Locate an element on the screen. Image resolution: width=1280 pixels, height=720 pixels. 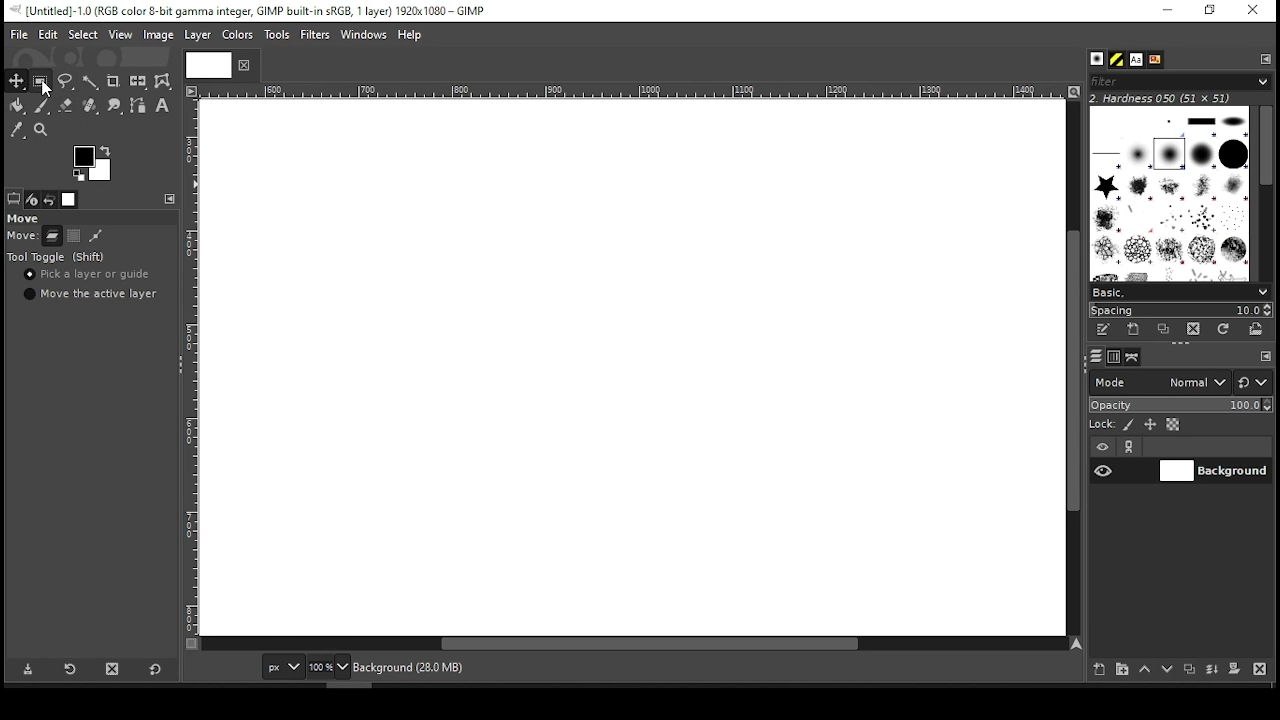
select is located at coordinates (82, 33).